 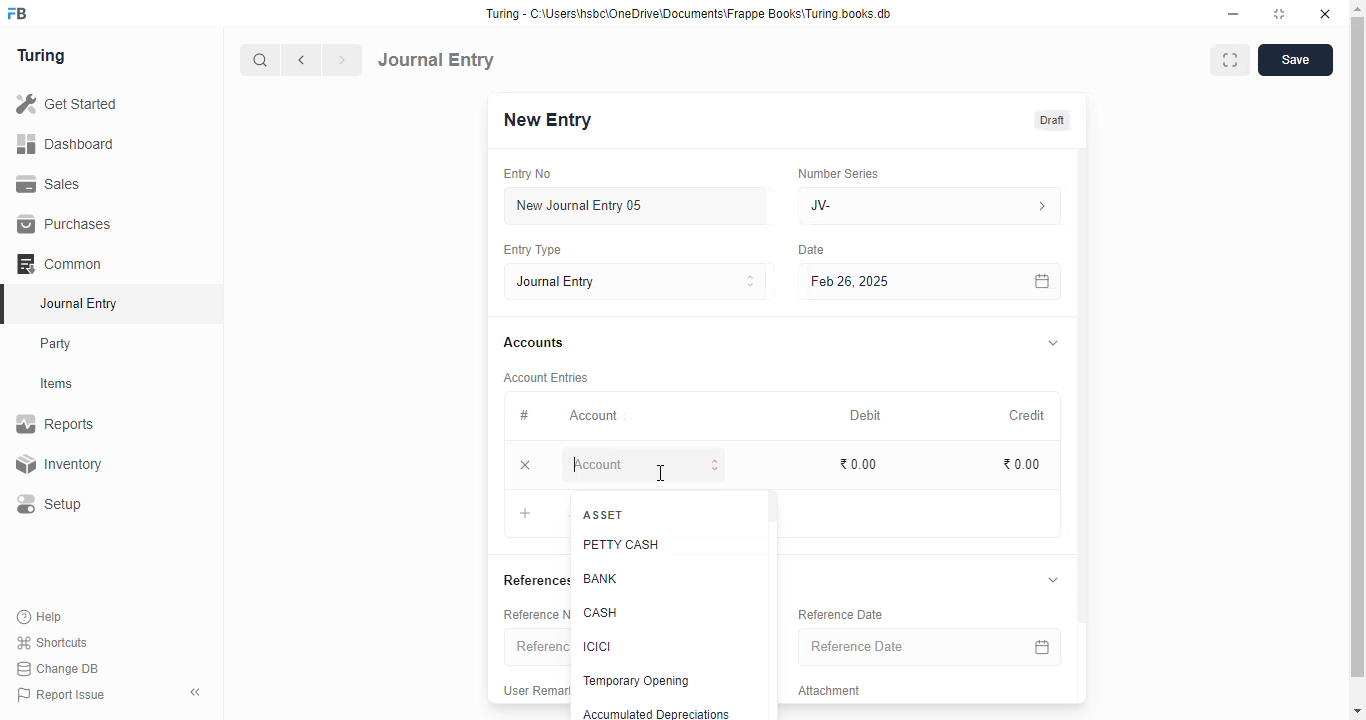 I want to click on cursor, so click(x=661, y=473).